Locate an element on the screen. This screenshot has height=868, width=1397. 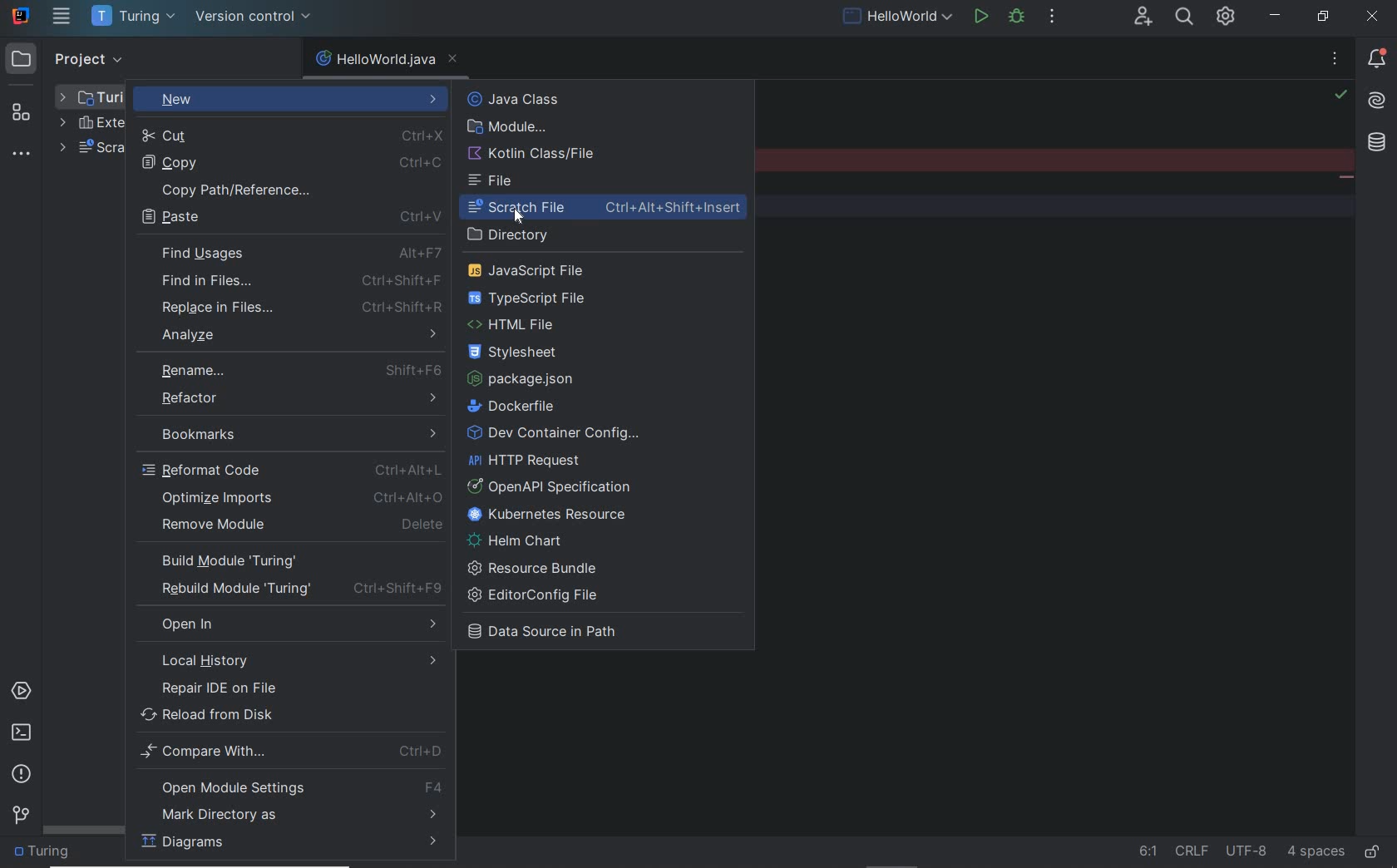
debug is located at coordinates (1020, 18).